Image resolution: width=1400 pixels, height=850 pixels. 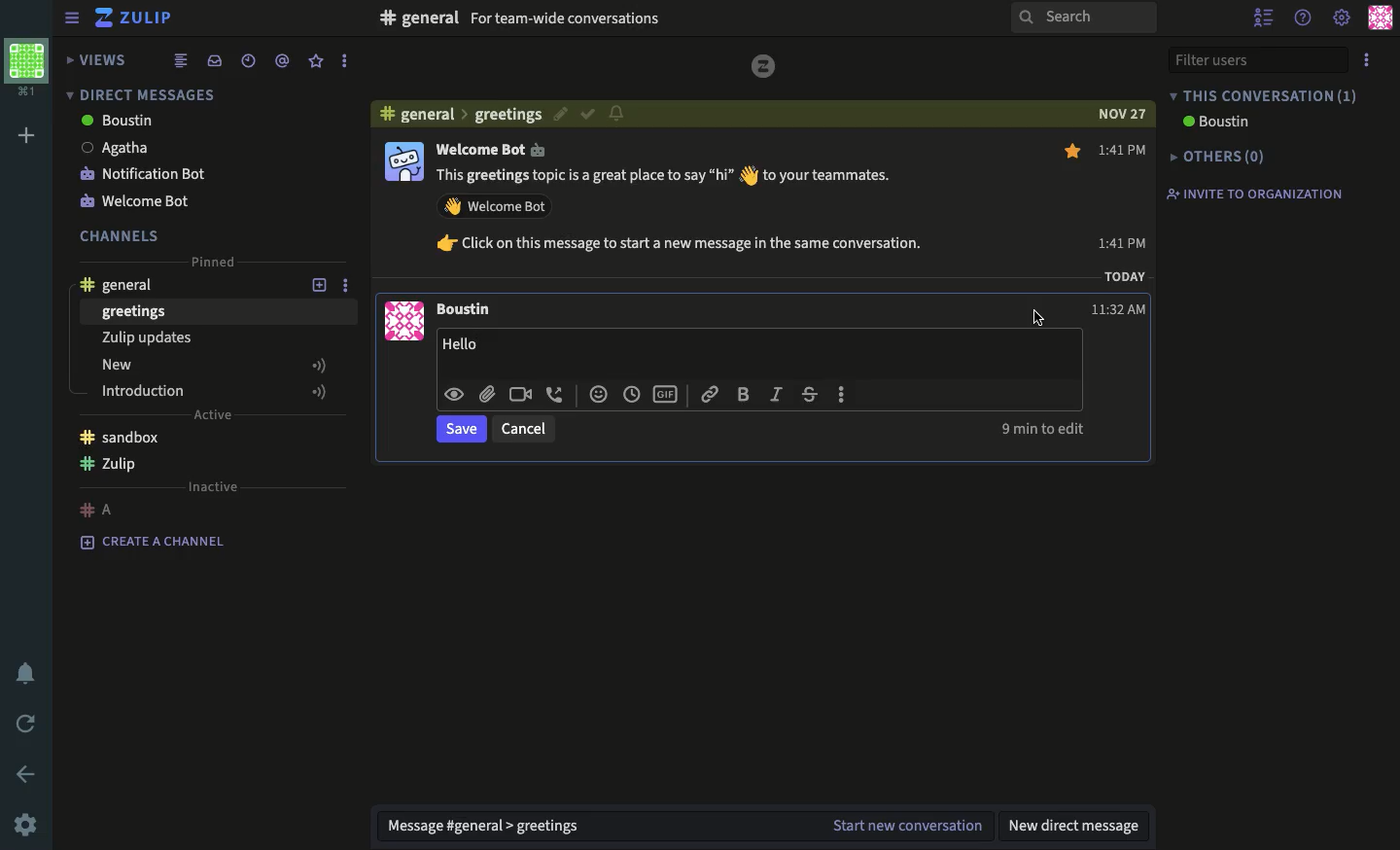 What do you see at coordinates (142, 199) in the screenshot?
I see `notification bot` at bounding box center [142, 199].